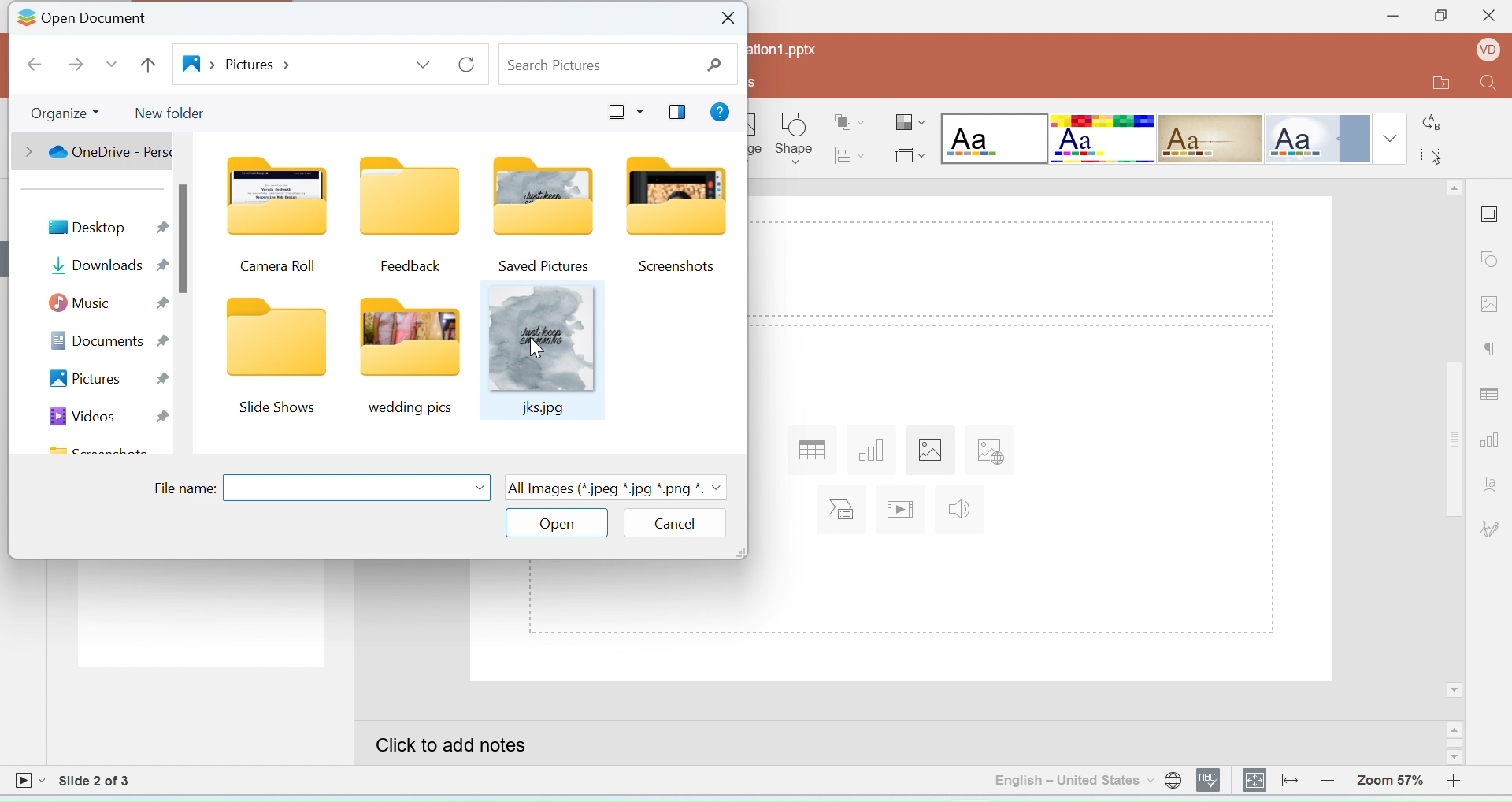  Describe the element at coordinates (96, 781) in the screenshot. I see `Slide 1 to 2` at that location.